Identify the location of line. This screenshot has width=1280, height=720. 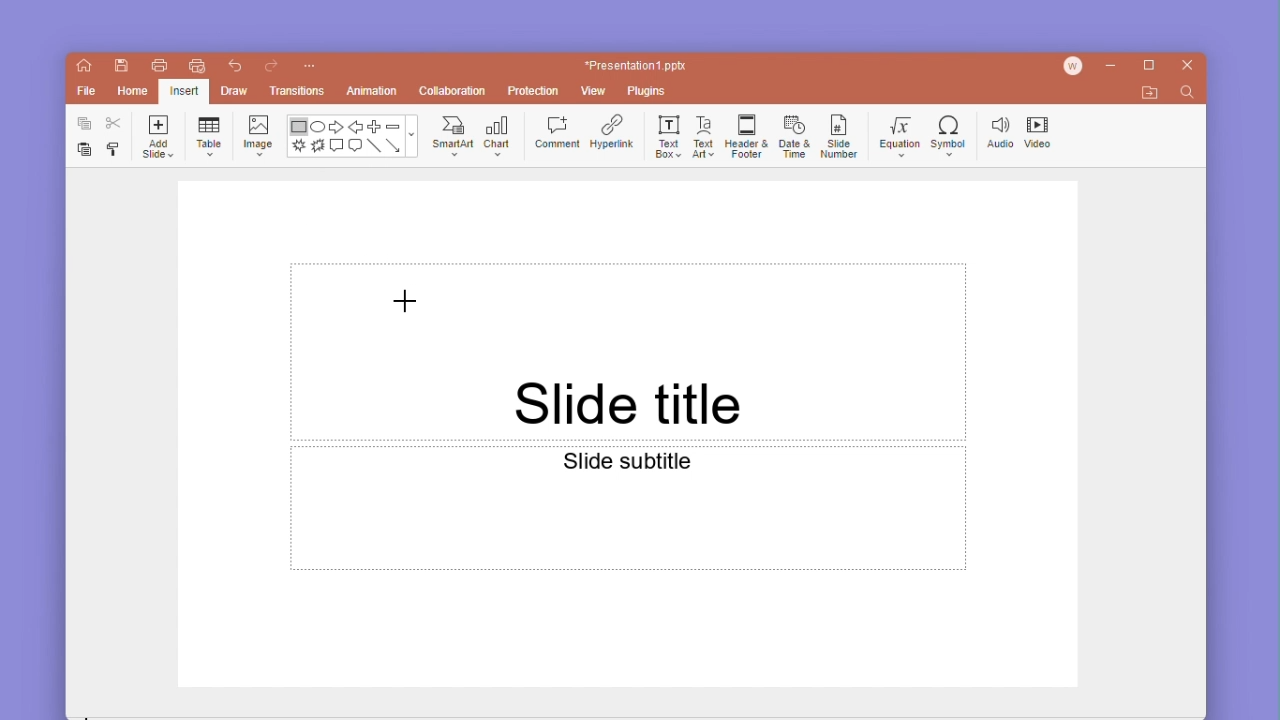
(374, 147).